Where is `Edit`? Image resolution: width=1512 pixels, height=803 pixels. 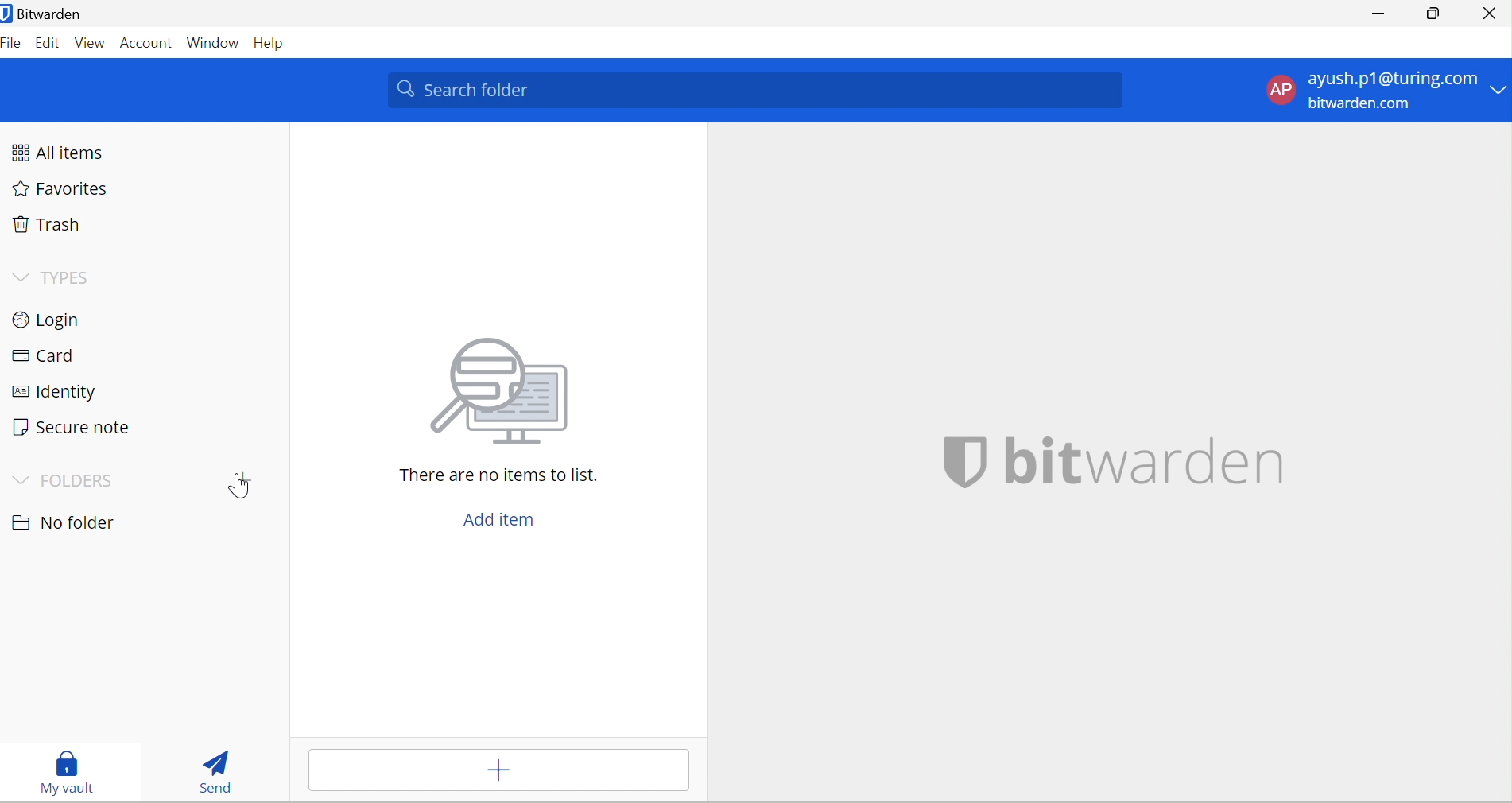 Edit is located at coordinates (48, 42).